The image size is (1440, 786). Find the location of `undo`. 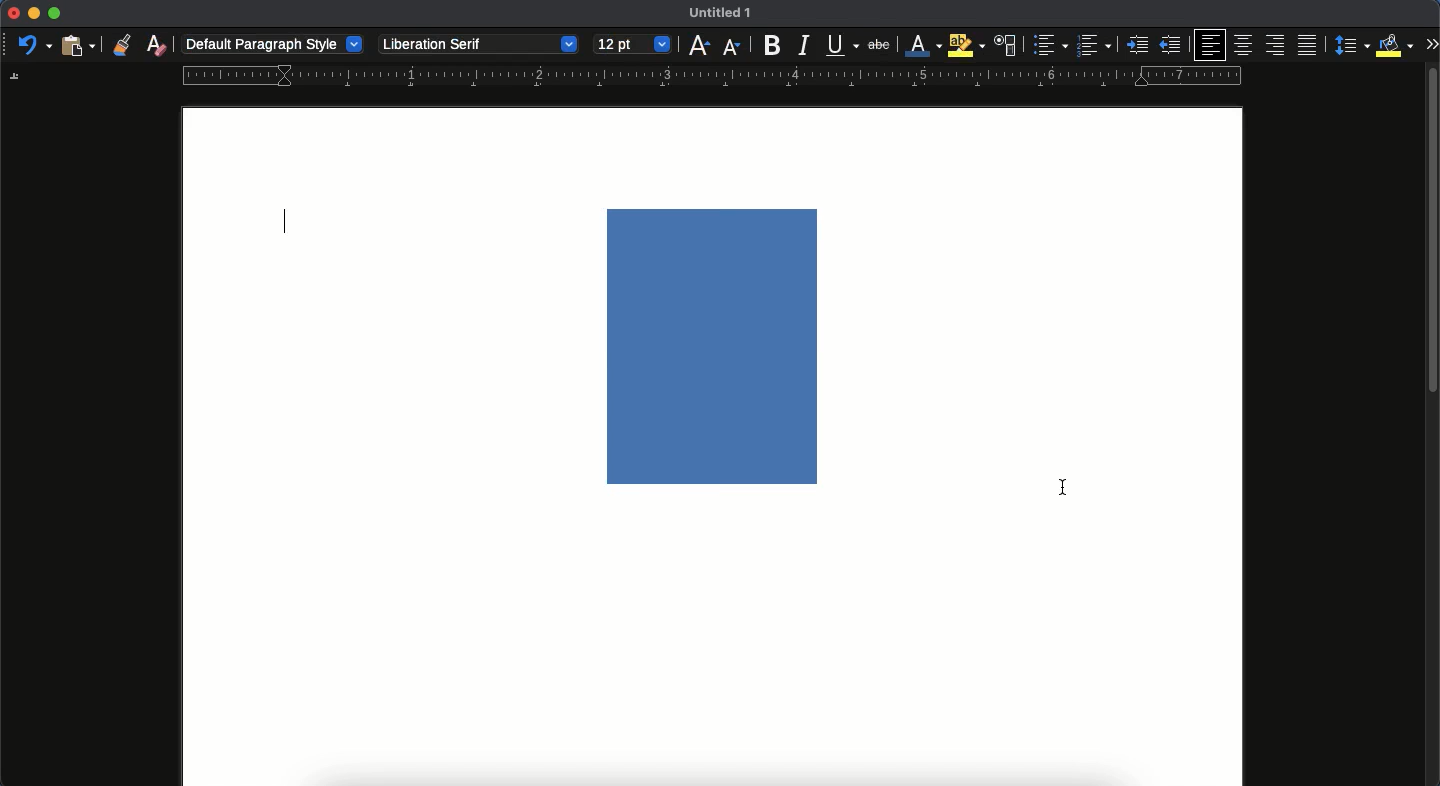

undo is located at coordinates (33, 46).